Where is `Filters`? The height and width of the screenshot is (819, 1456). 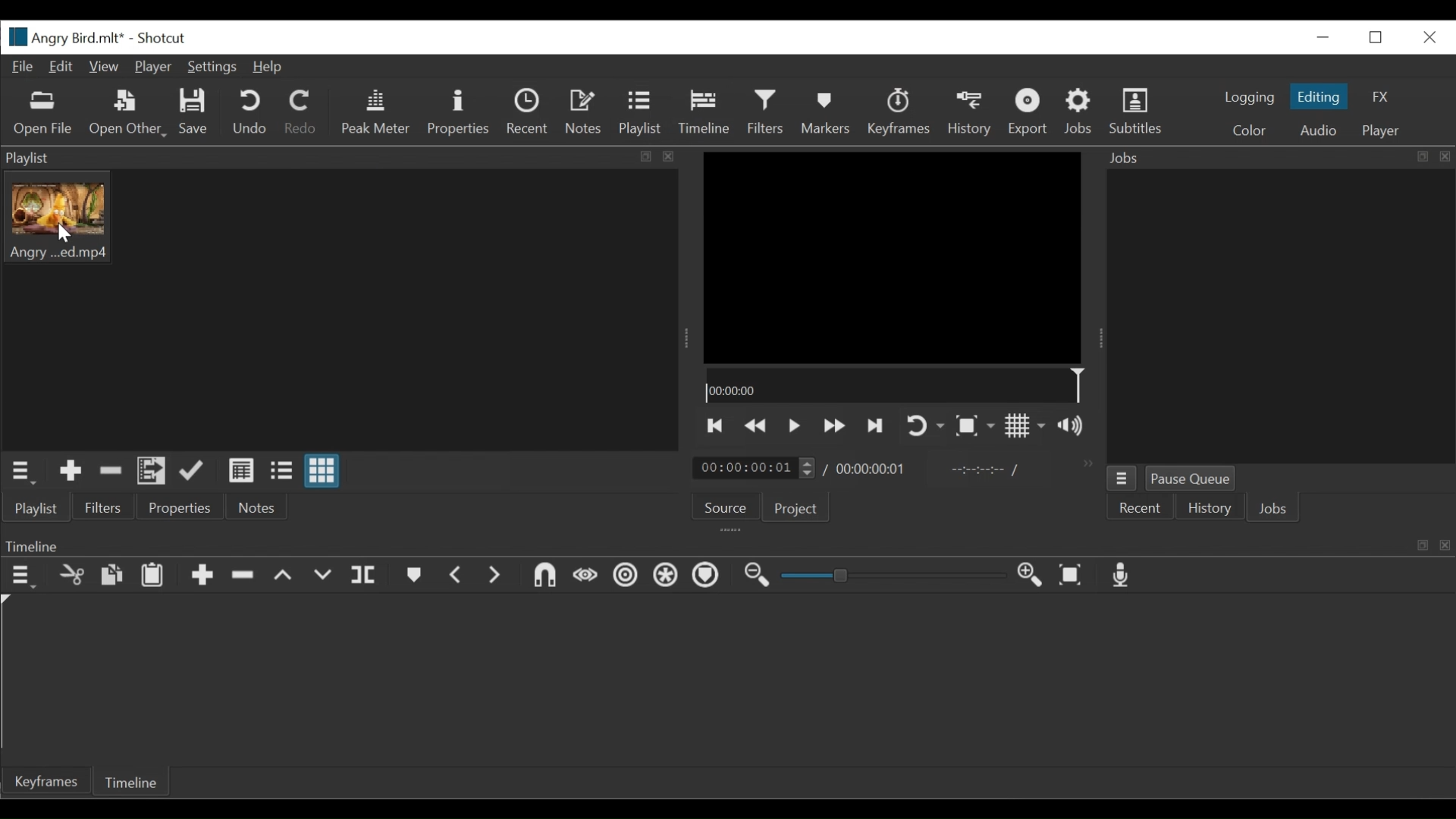 Filters is located at coordinates (102, 510).